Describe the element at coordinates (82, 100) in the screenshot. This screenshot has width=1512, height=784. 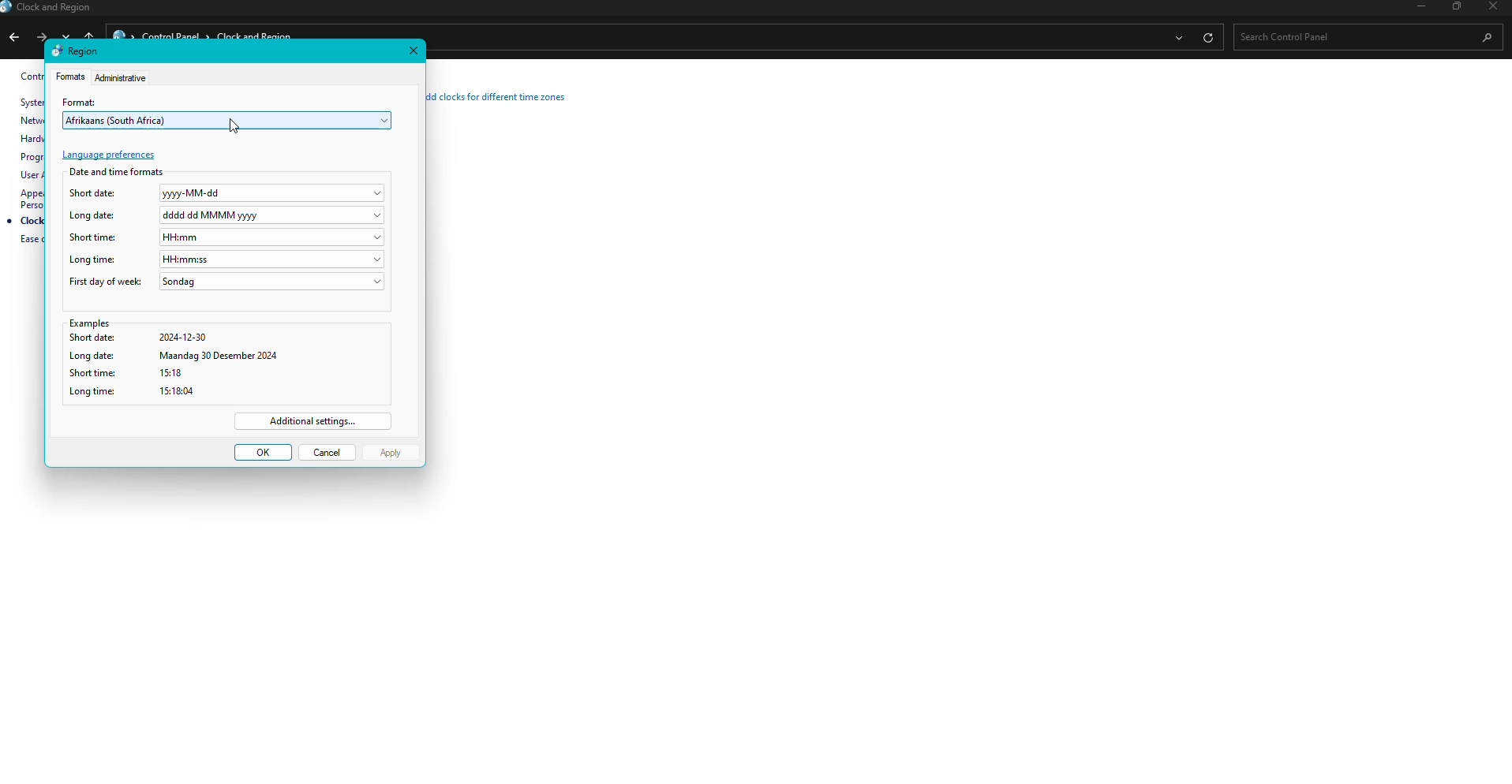
I see `Format` at that location.